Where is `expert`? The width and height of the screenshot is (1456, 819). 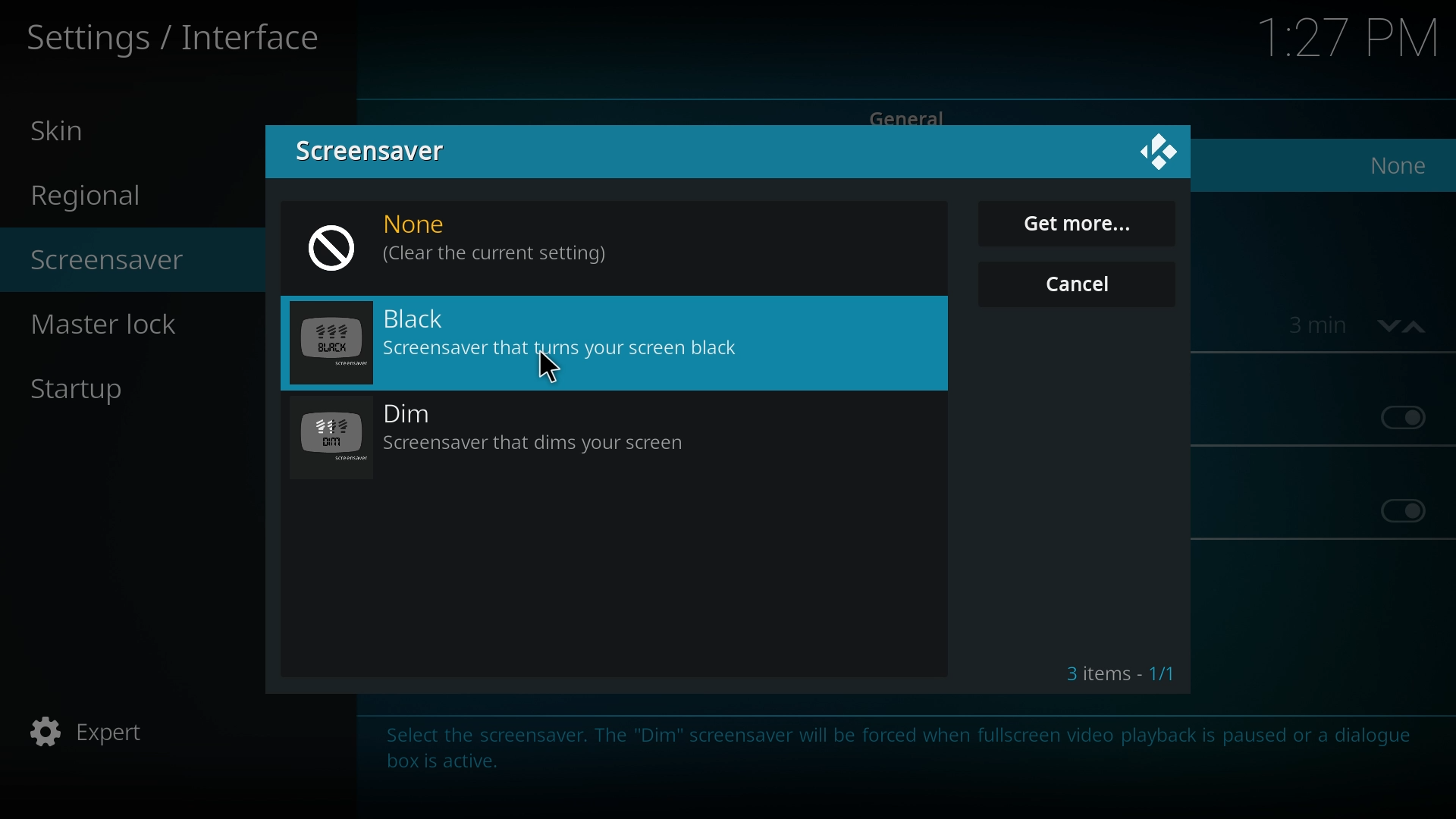 expert is located at coordinates (121, 730).